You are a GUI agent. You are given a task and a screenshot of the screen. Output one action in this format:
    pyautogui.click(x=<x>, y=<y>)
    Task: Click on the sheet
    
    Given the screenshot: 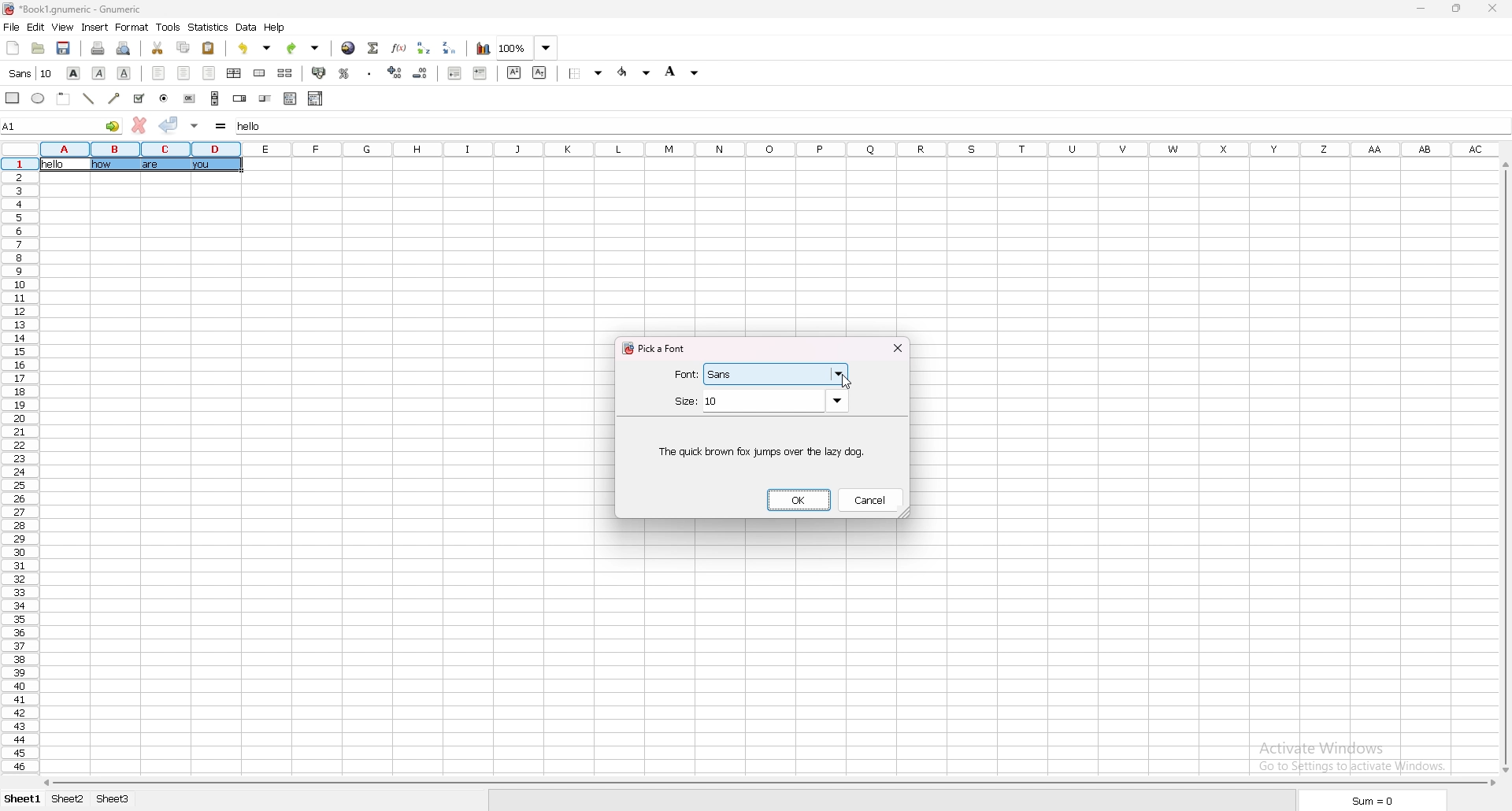 What is the action you would take?
    pyautogui.click(x=115, y=798)
    